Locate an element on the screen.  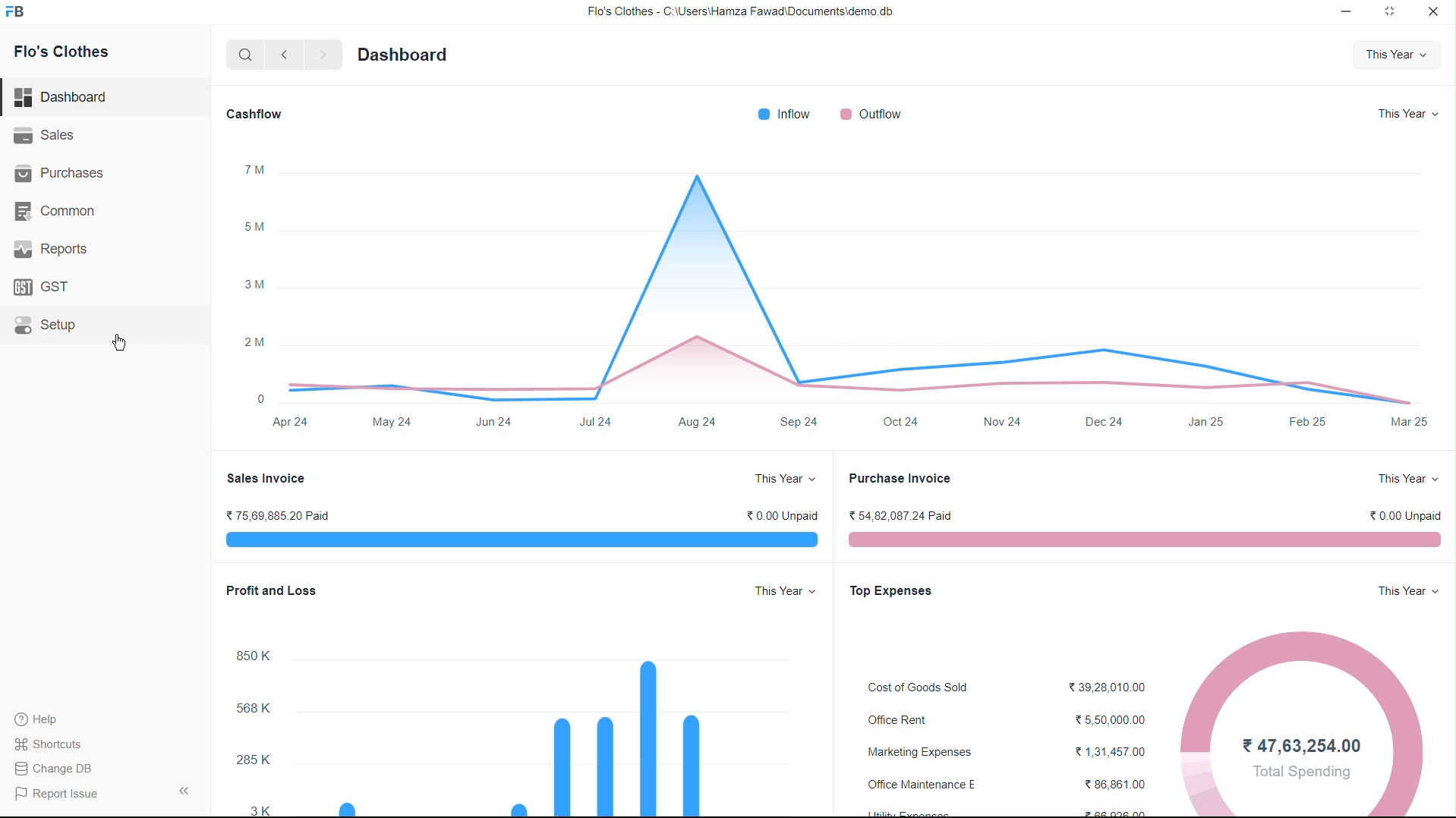
| Purchases is located at coordinates (66, 171).